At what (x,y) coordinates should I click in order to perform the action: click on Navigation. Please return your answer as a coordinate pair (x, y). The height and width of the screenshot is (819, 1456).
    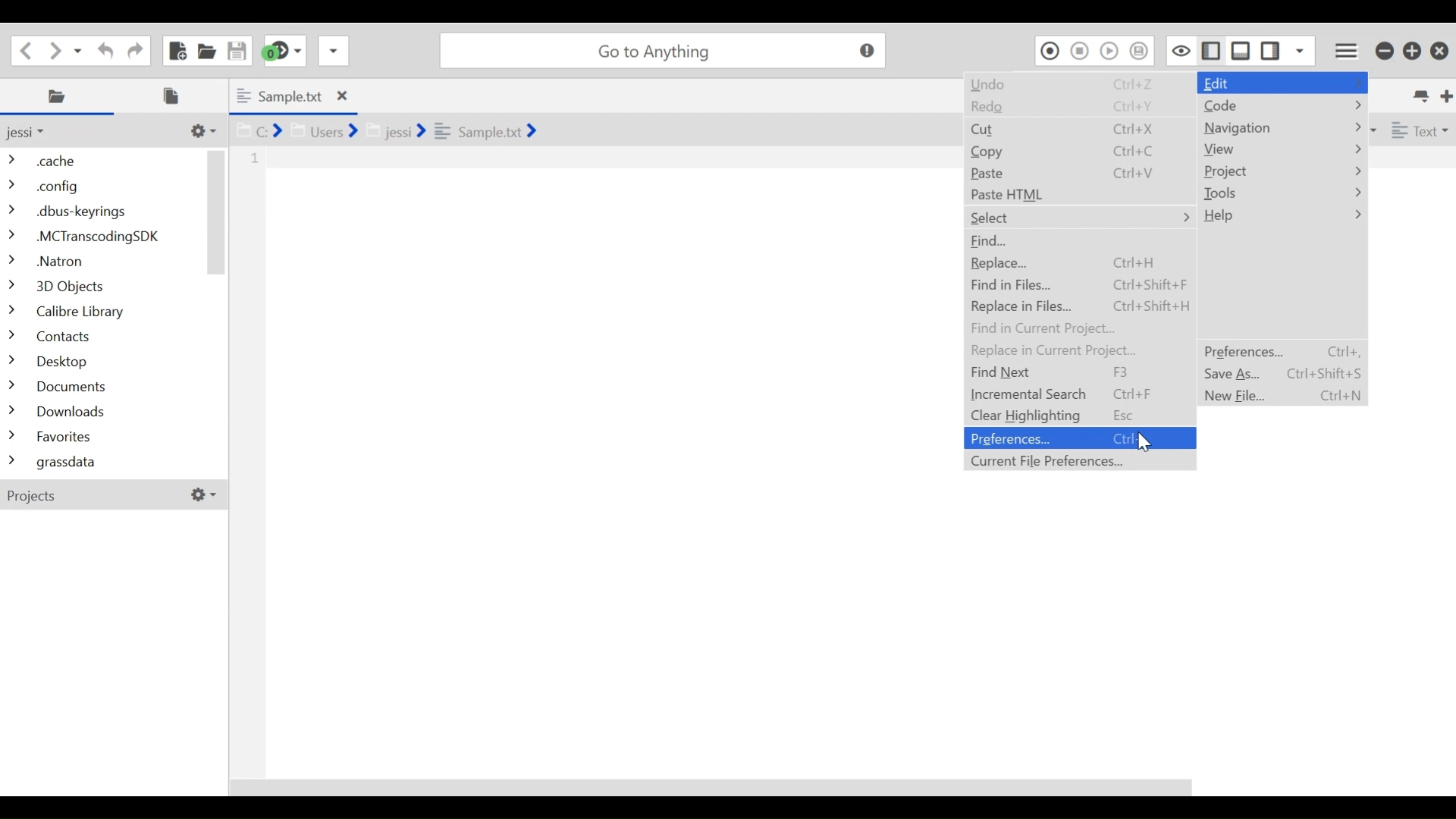
    Looking at the image, I should click on (1282, 128).